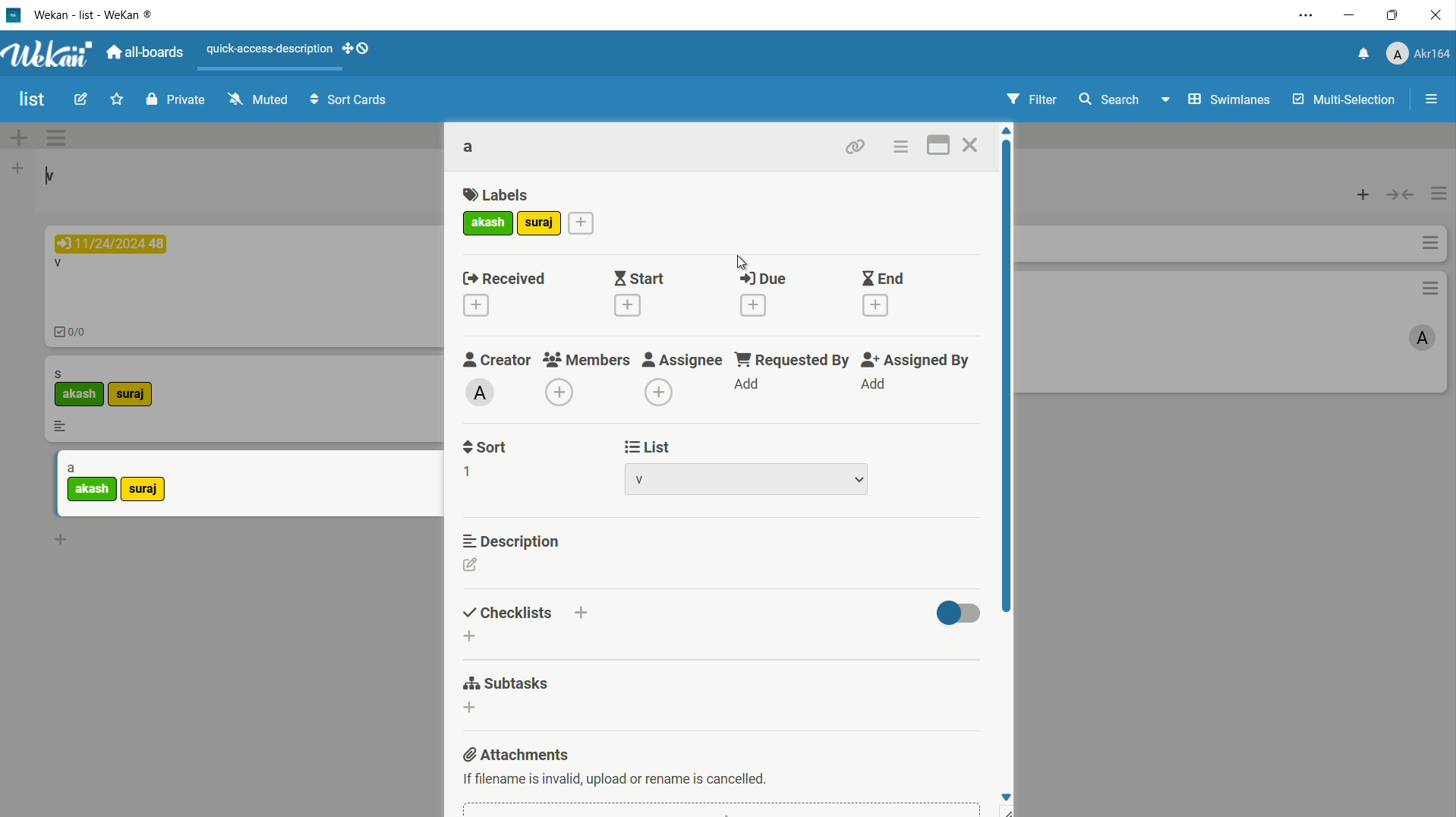 Image resolution: width=1456 pixels, height=817 pixels. What do you see at coordinates (859, 480) in the screenshot?
I see `dropdown` at bounding box center [859, 480].